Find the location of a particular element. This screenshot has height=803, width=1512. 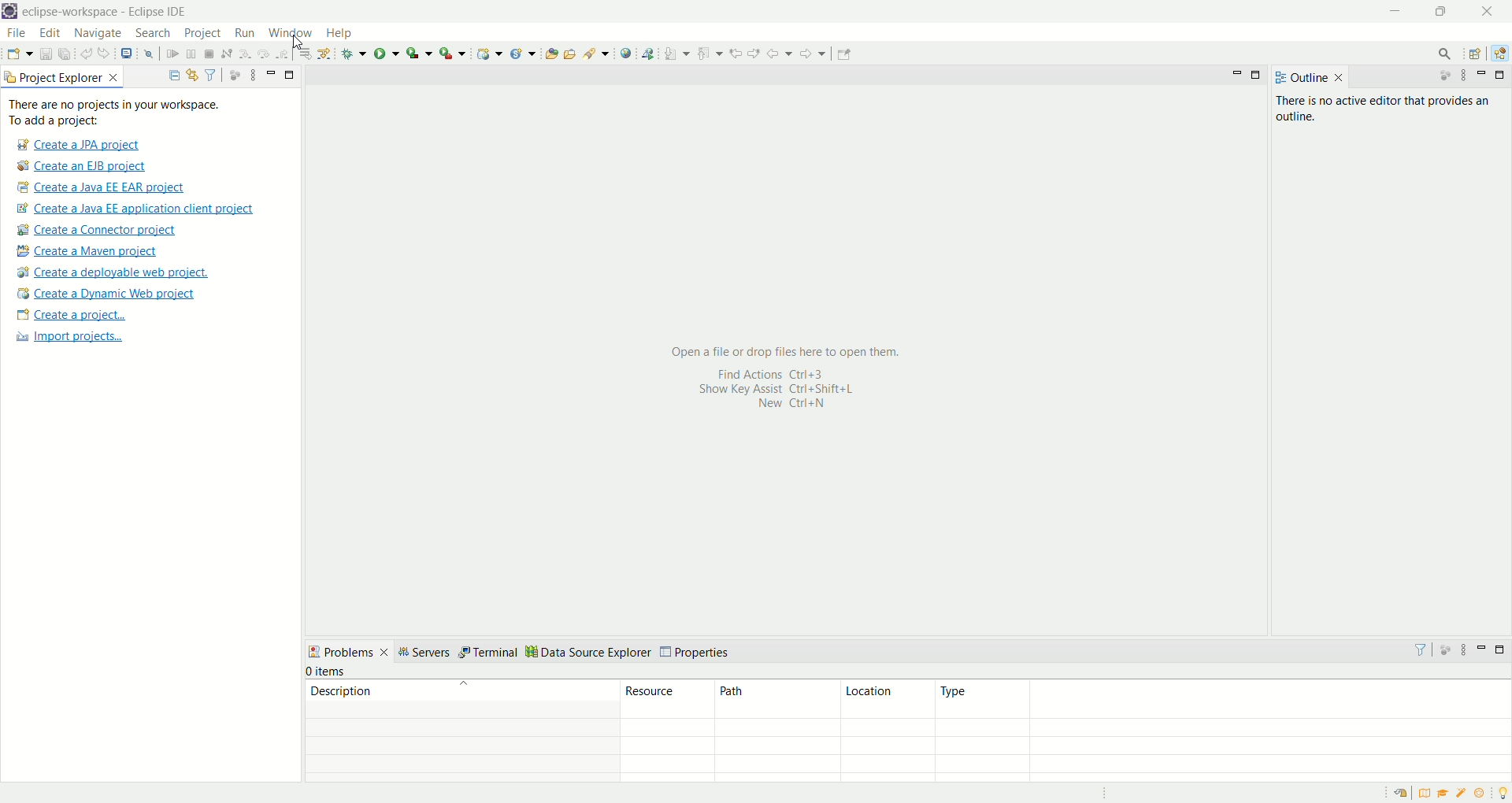

maximize is located at coordinates (291, 73).